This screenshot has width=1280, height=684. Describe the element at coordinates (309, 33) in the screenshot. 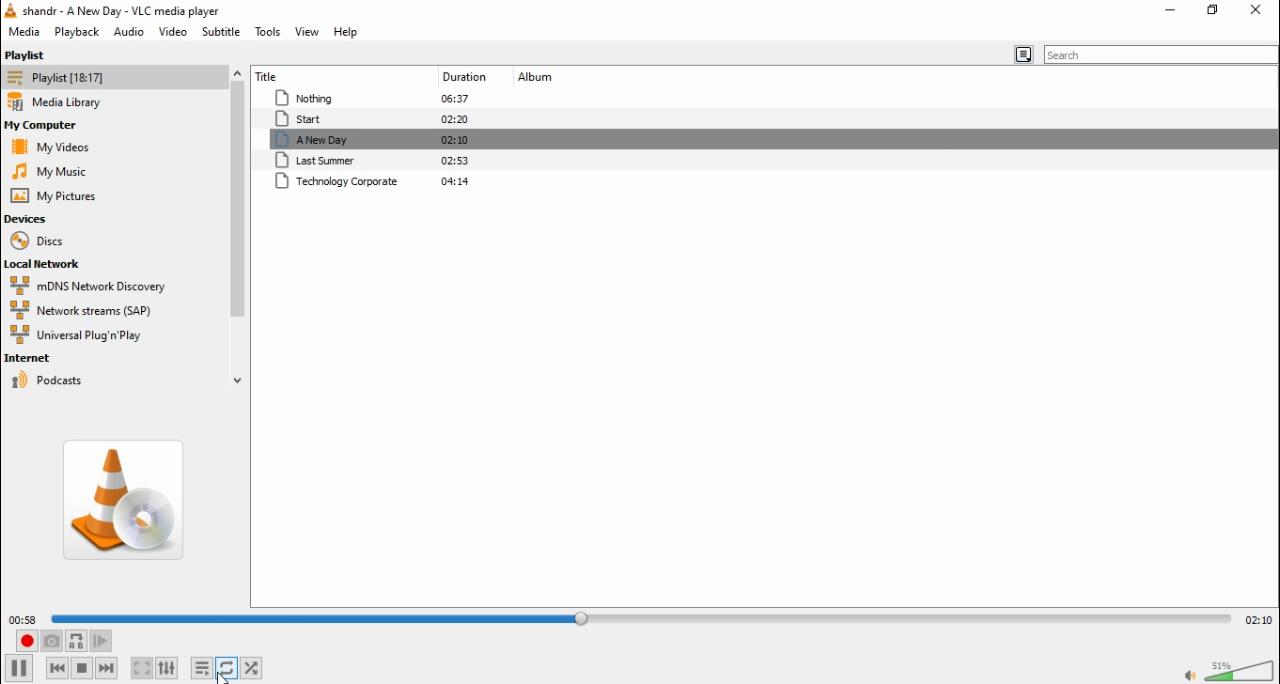

I see `view` at that location.